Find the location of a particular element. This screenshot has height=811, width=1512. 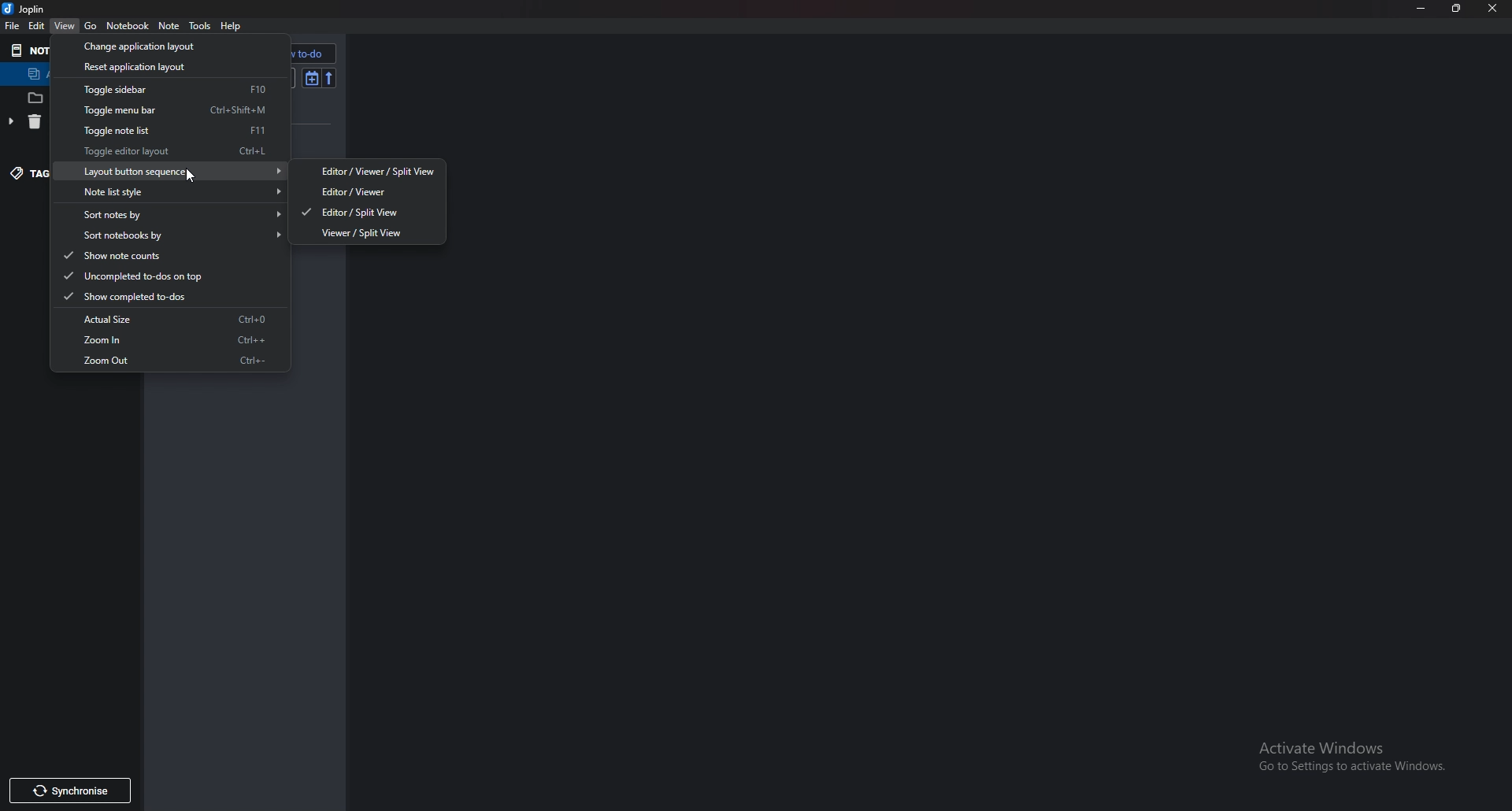

joplin is located at coordinates (27, 9).